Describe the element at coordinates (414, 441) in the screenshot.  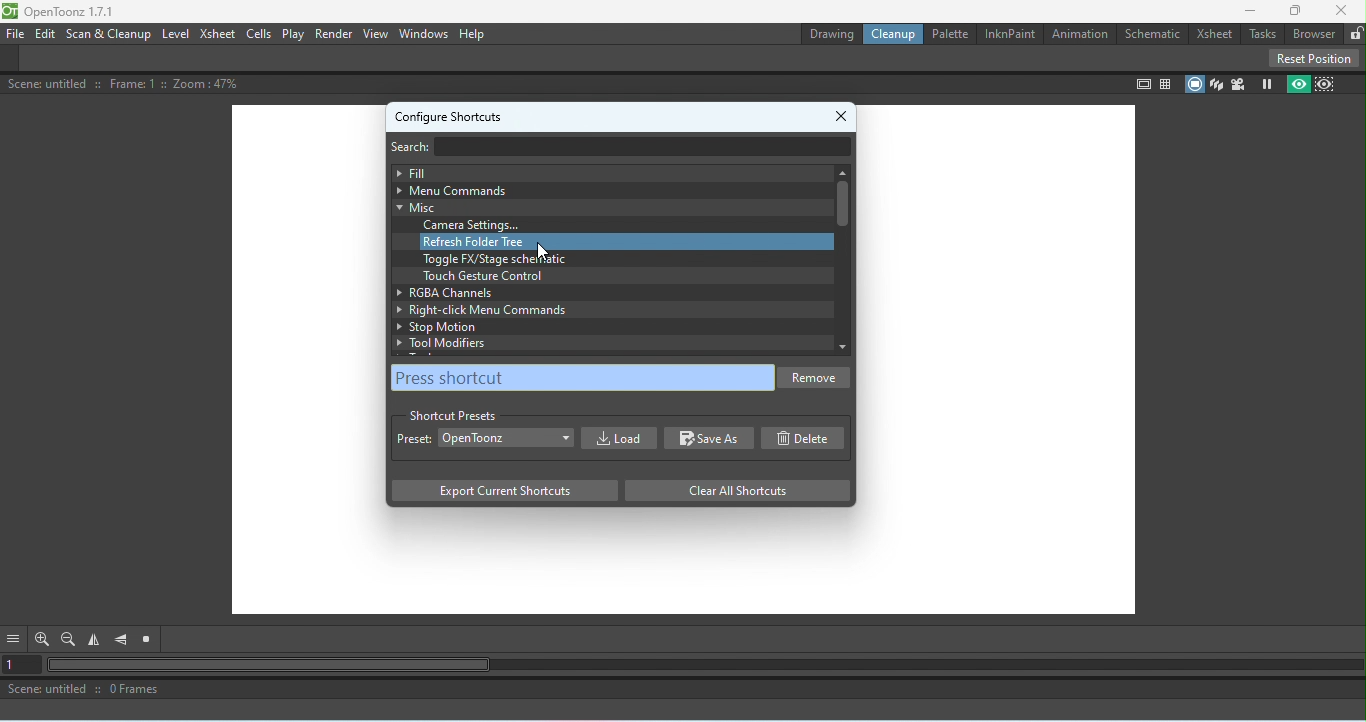
I see `Preset` at that location.